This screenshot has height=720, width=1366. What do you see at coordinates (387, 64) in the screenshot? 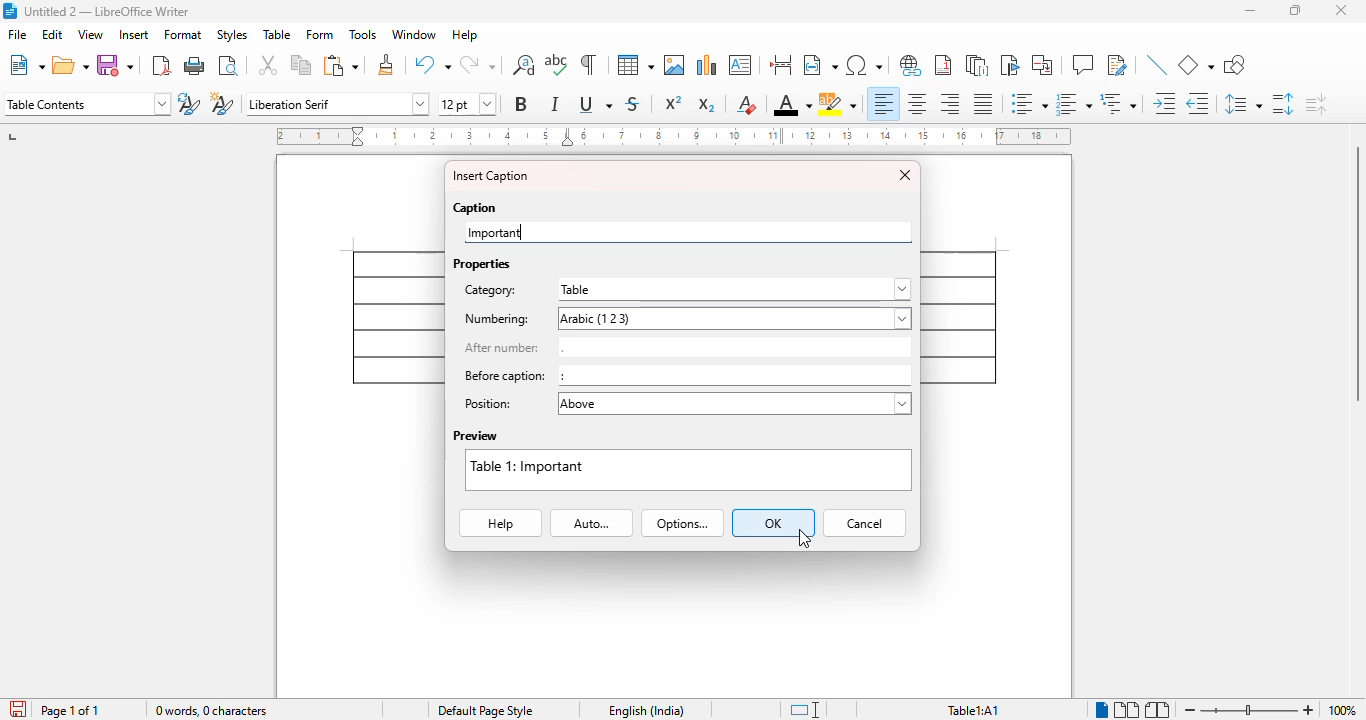
I see `clone formatting` at bounding box center [387, 64].